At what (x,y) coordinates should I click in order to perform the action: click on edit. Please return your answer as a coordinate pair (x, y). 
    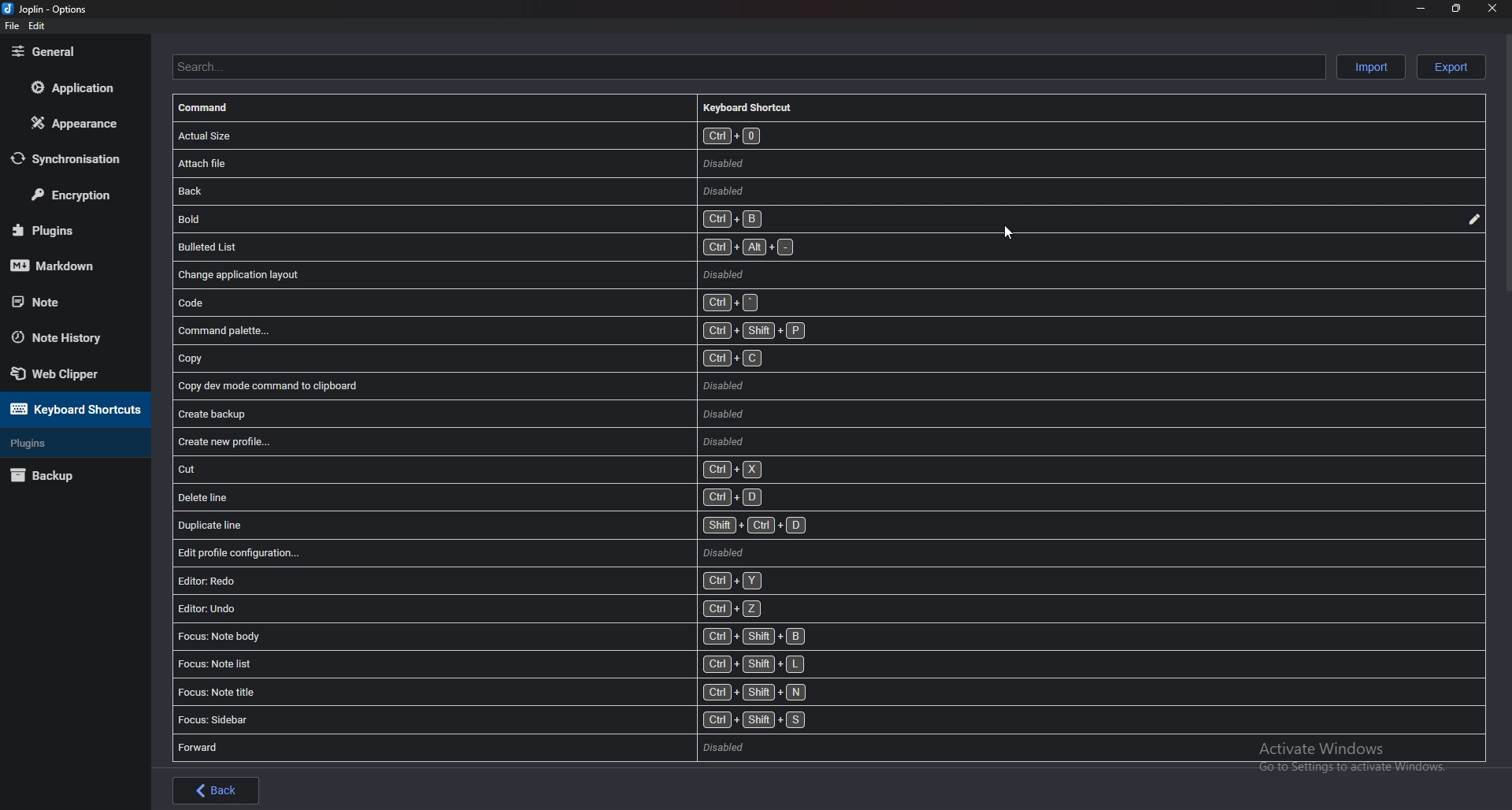
    Looking at the image, I should click on (36, 26).